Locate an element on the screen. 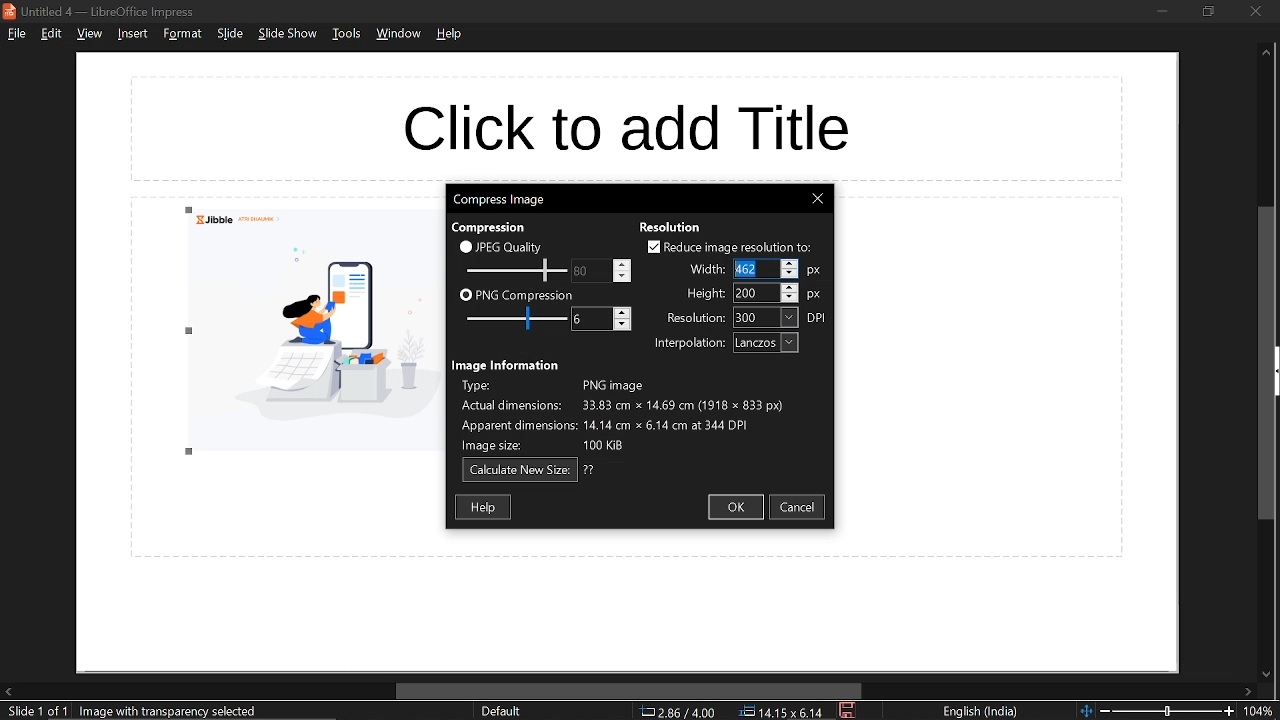  image information is located at coordinates (508, 365).